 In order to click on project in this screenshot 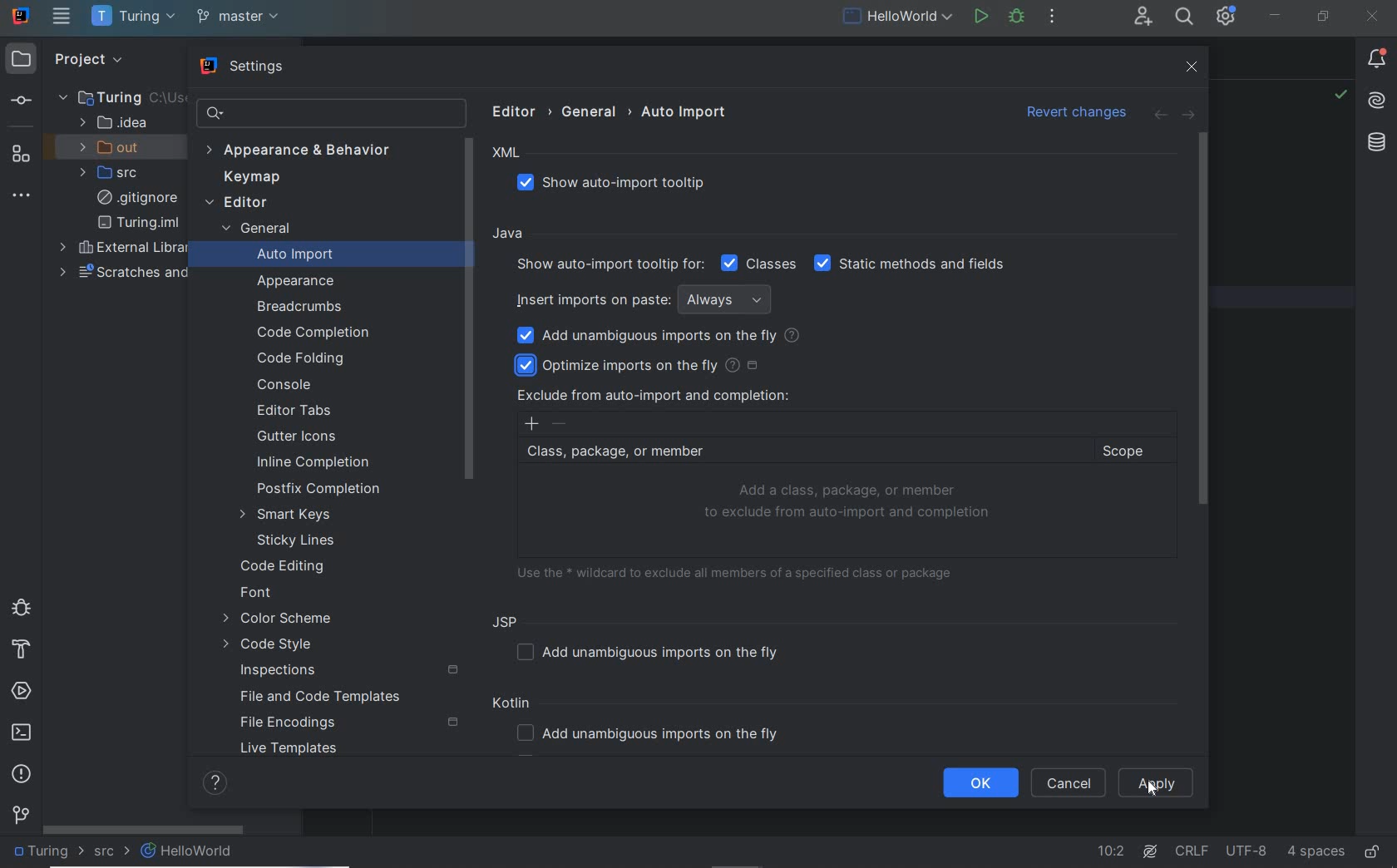, I will do `click(85, 58)`.